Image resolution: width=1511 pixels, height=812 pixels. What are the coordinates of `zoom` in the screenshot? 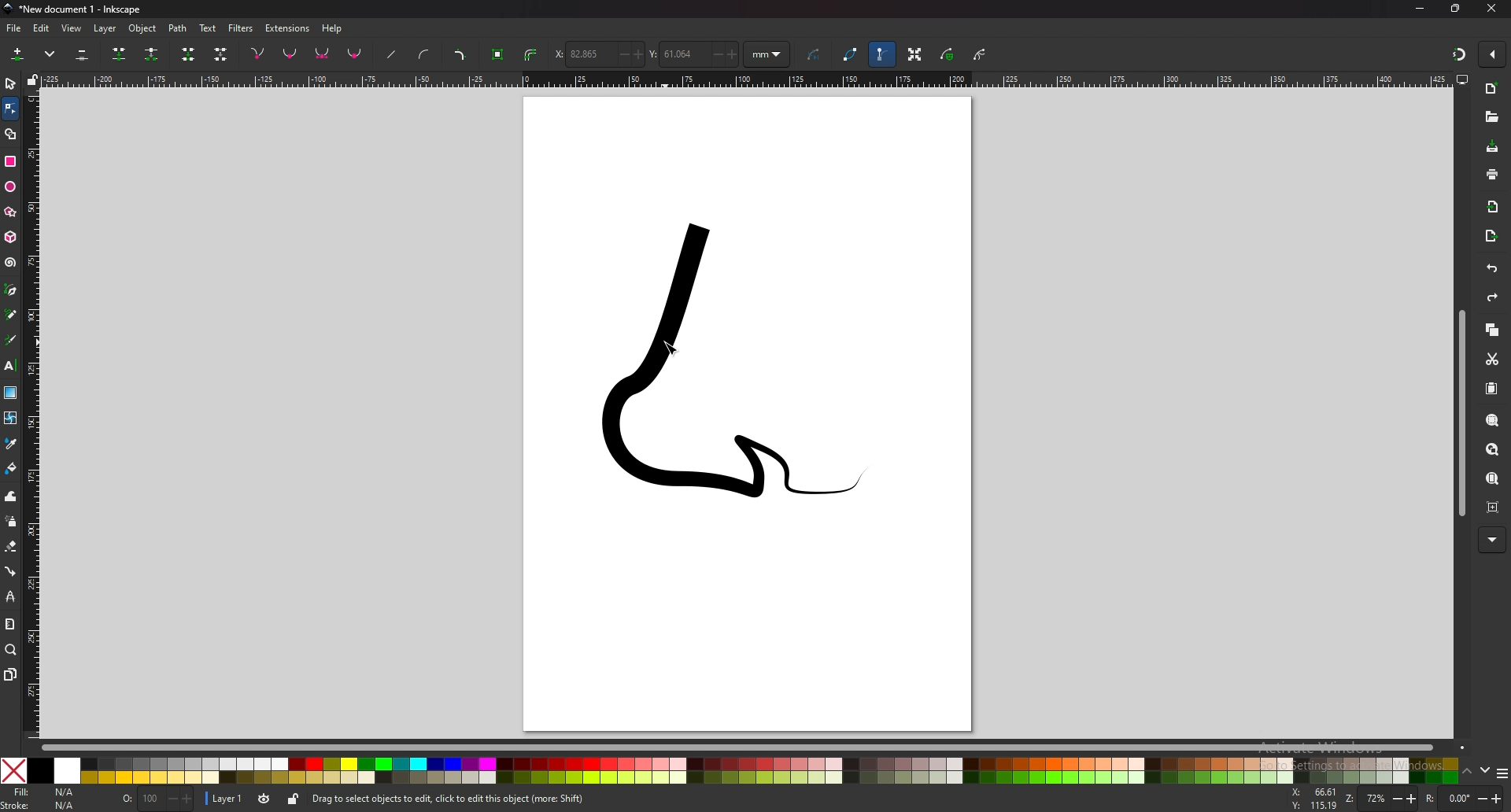 It's located at (1391, 800).